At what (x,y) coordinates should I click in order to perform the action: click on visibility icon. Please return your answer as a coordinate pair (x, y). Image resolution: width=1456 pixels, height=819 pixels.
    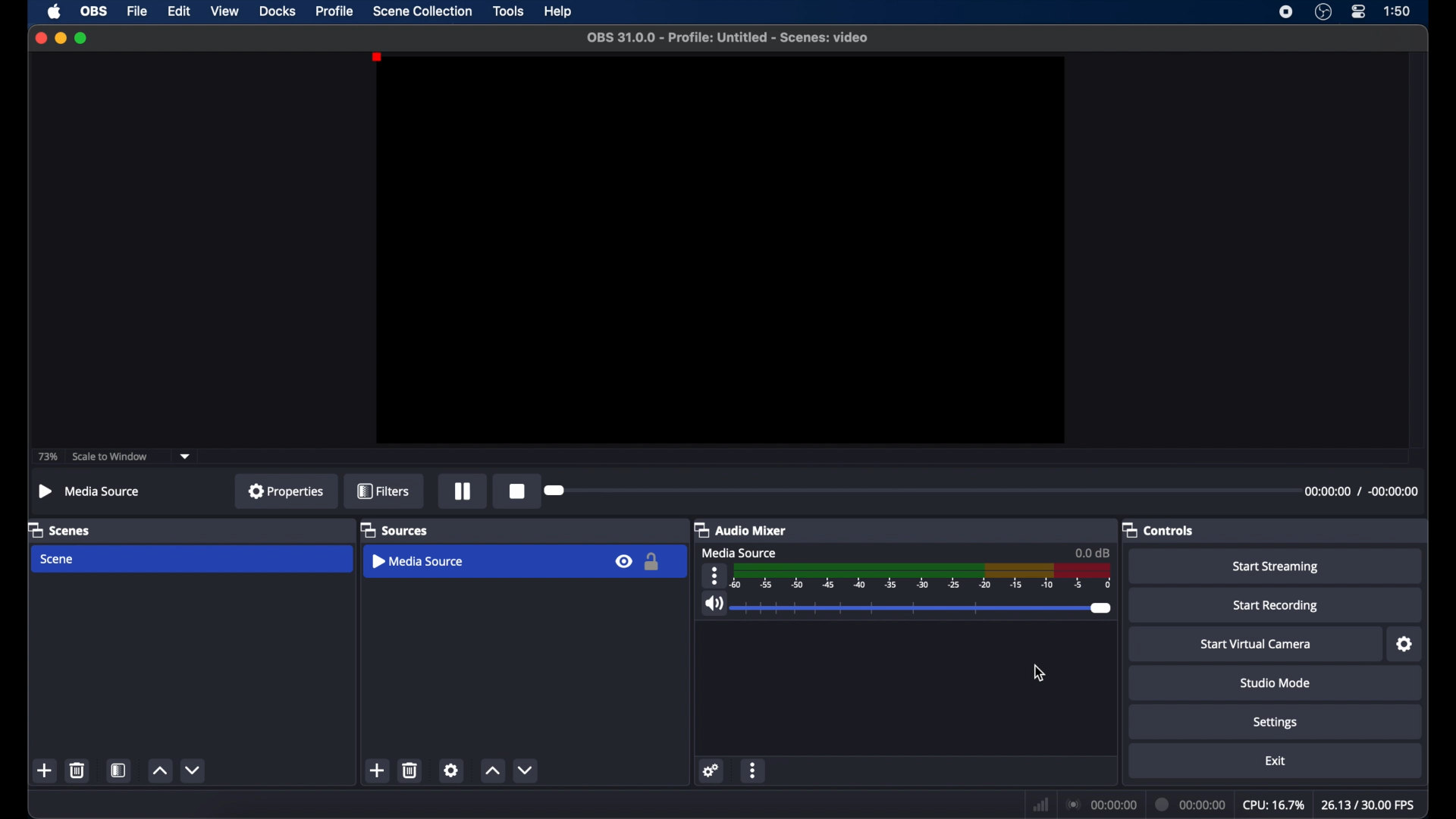
    Looking at the image, I should click on (623, 561).